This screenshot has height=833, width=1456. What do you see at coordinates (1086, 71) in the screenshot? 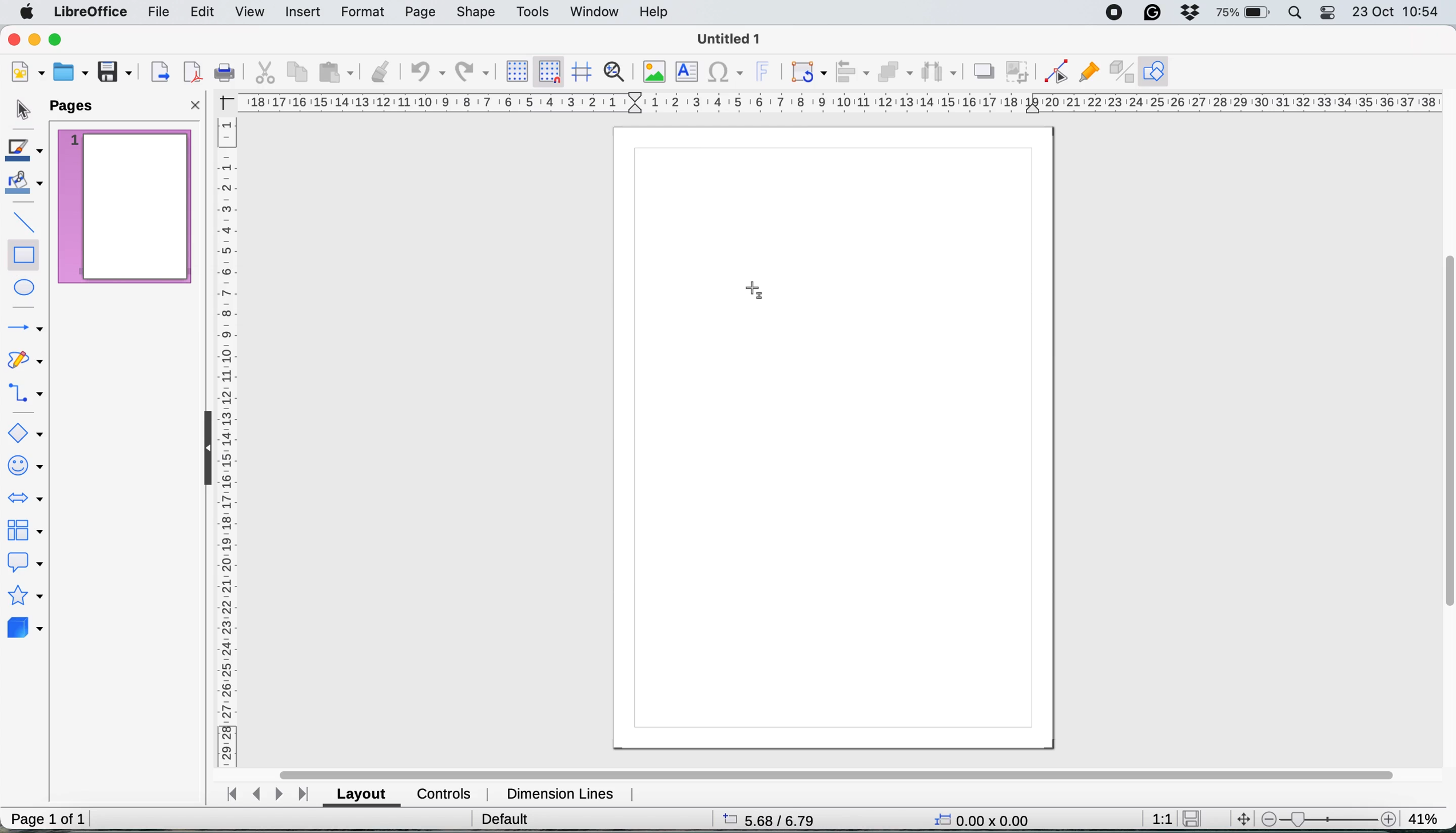
I see `show gluepoint functions` at bounding box center [1086, 71].